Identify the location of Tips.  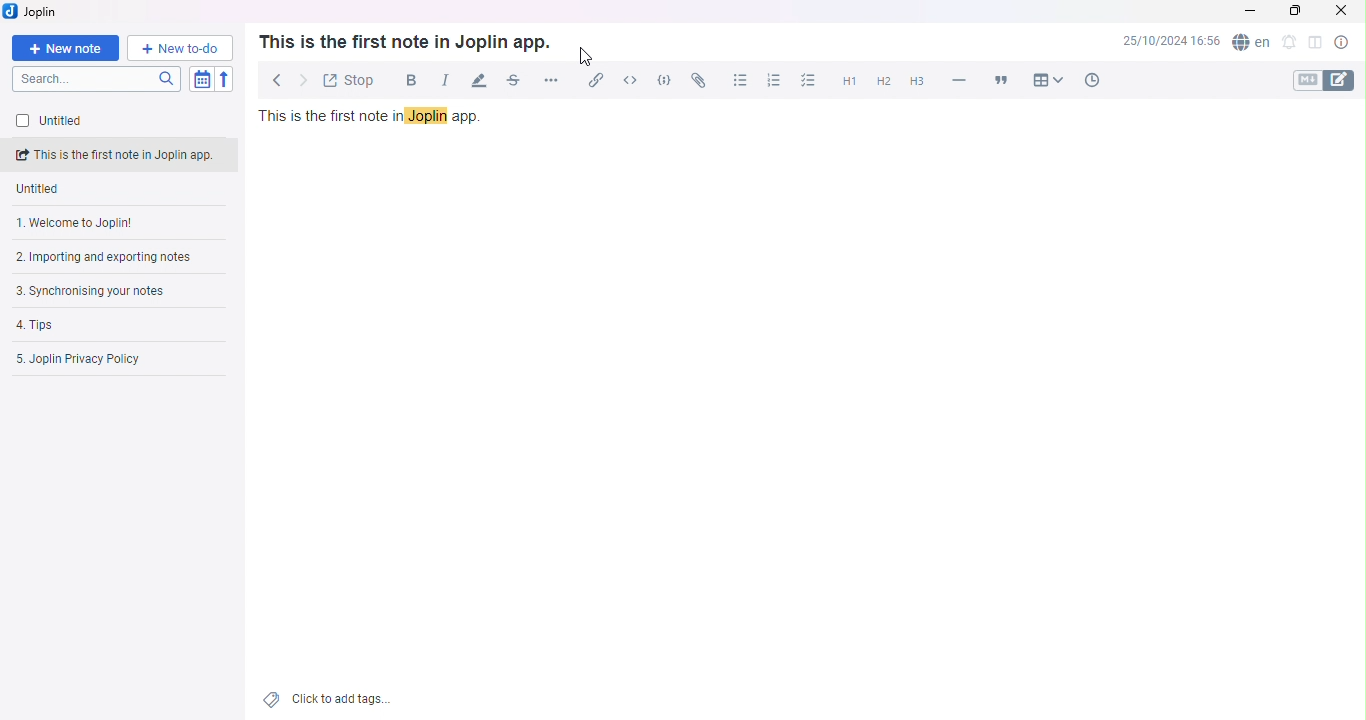
(94, 325).